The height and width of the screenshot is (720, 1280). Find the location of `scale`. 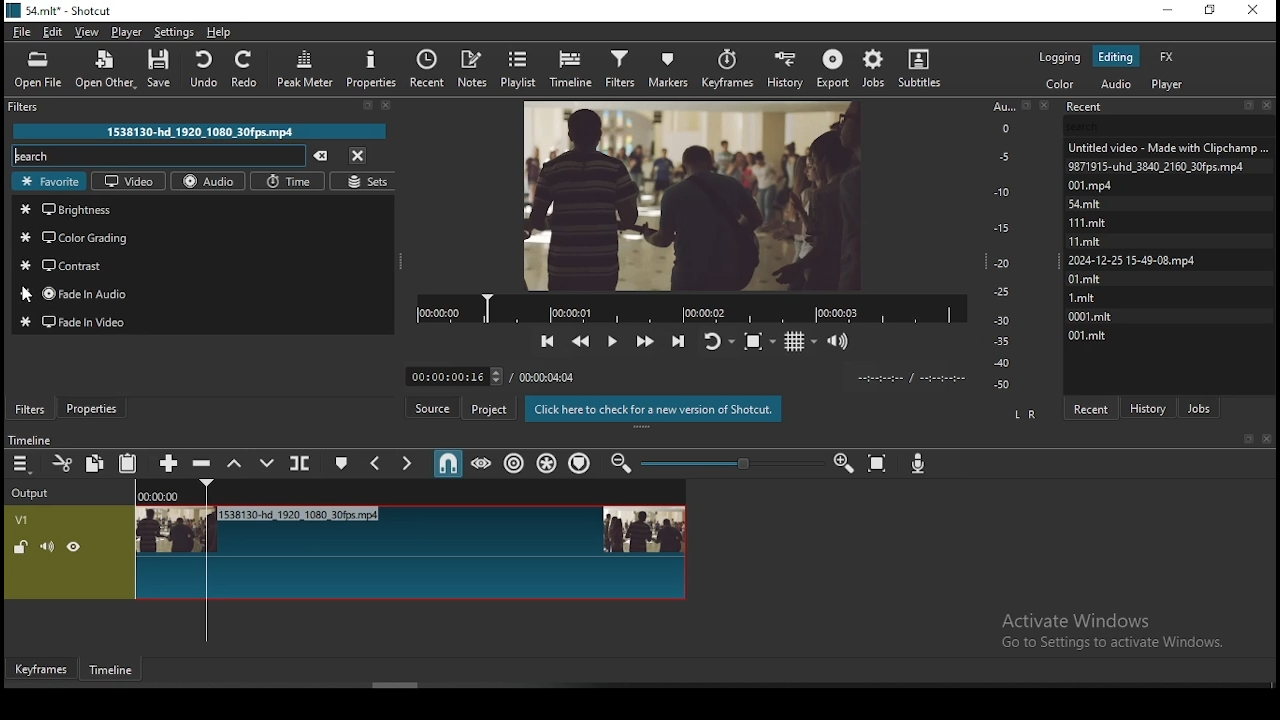

scale is located at coordinates (1003, 245).